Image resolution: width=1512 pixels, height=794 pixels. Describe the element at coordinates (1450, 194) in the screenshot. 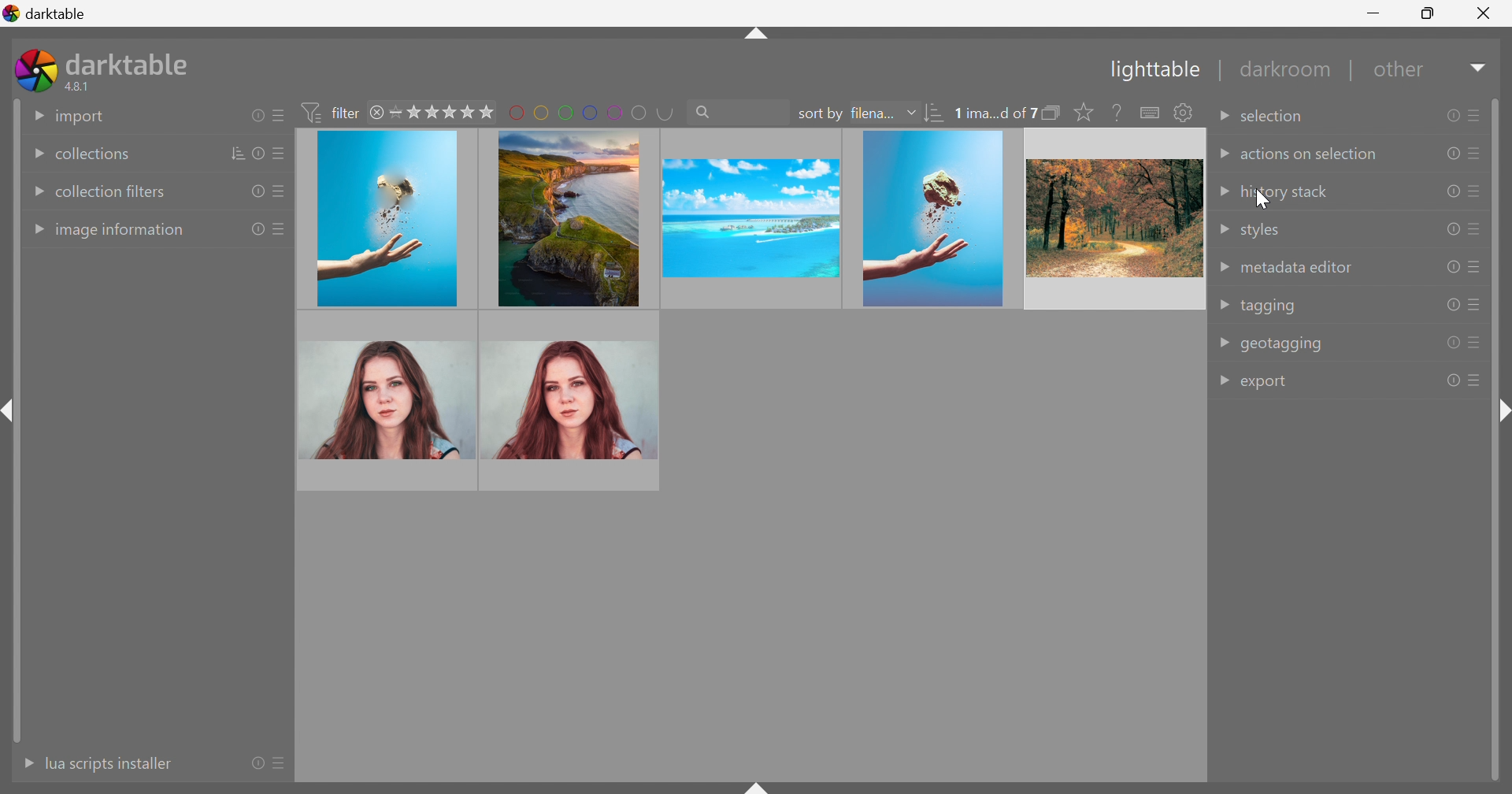

I see `reset` at that location.